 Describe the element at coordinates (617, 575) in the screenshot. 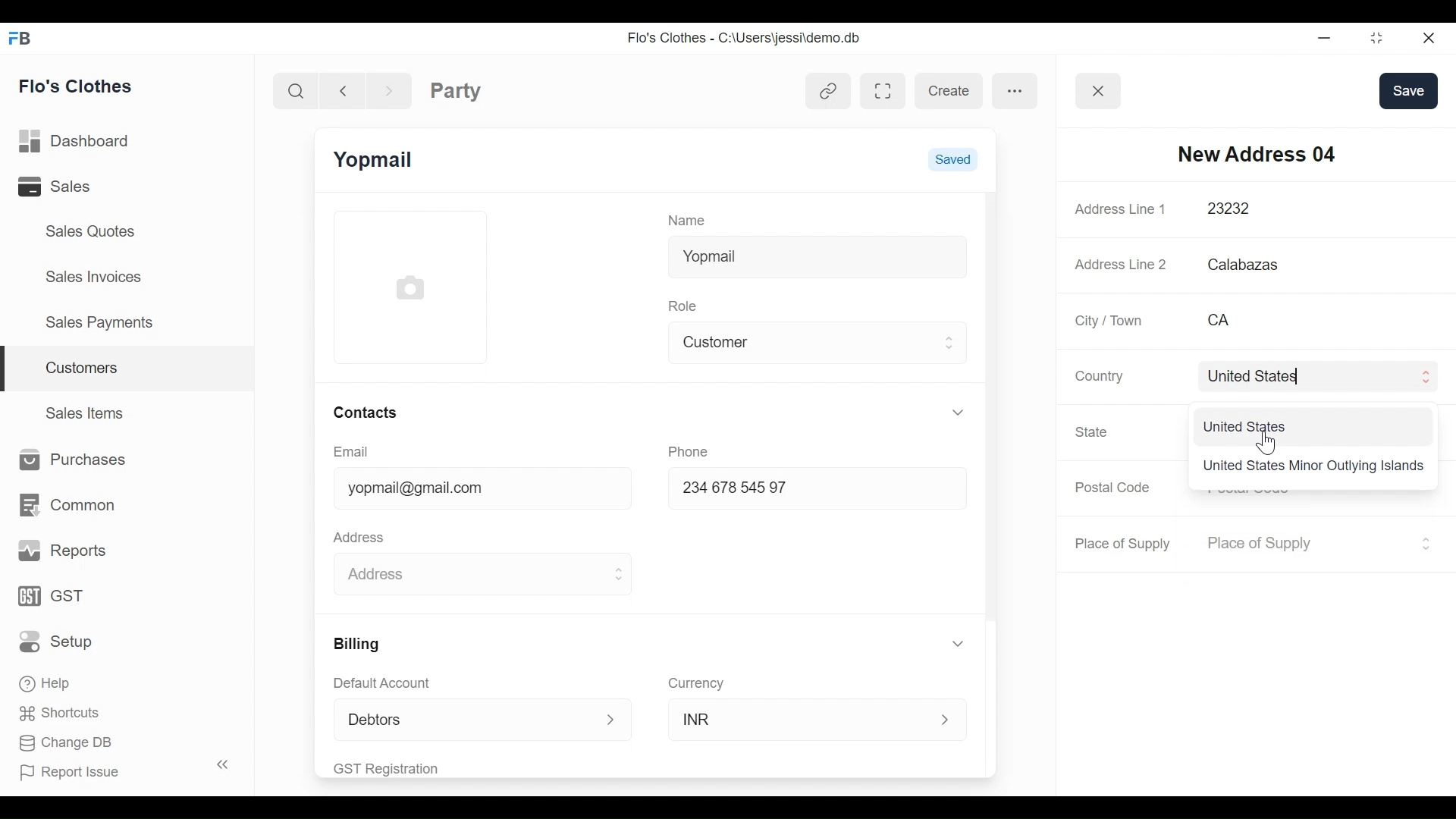

I see `Expand` at that location.